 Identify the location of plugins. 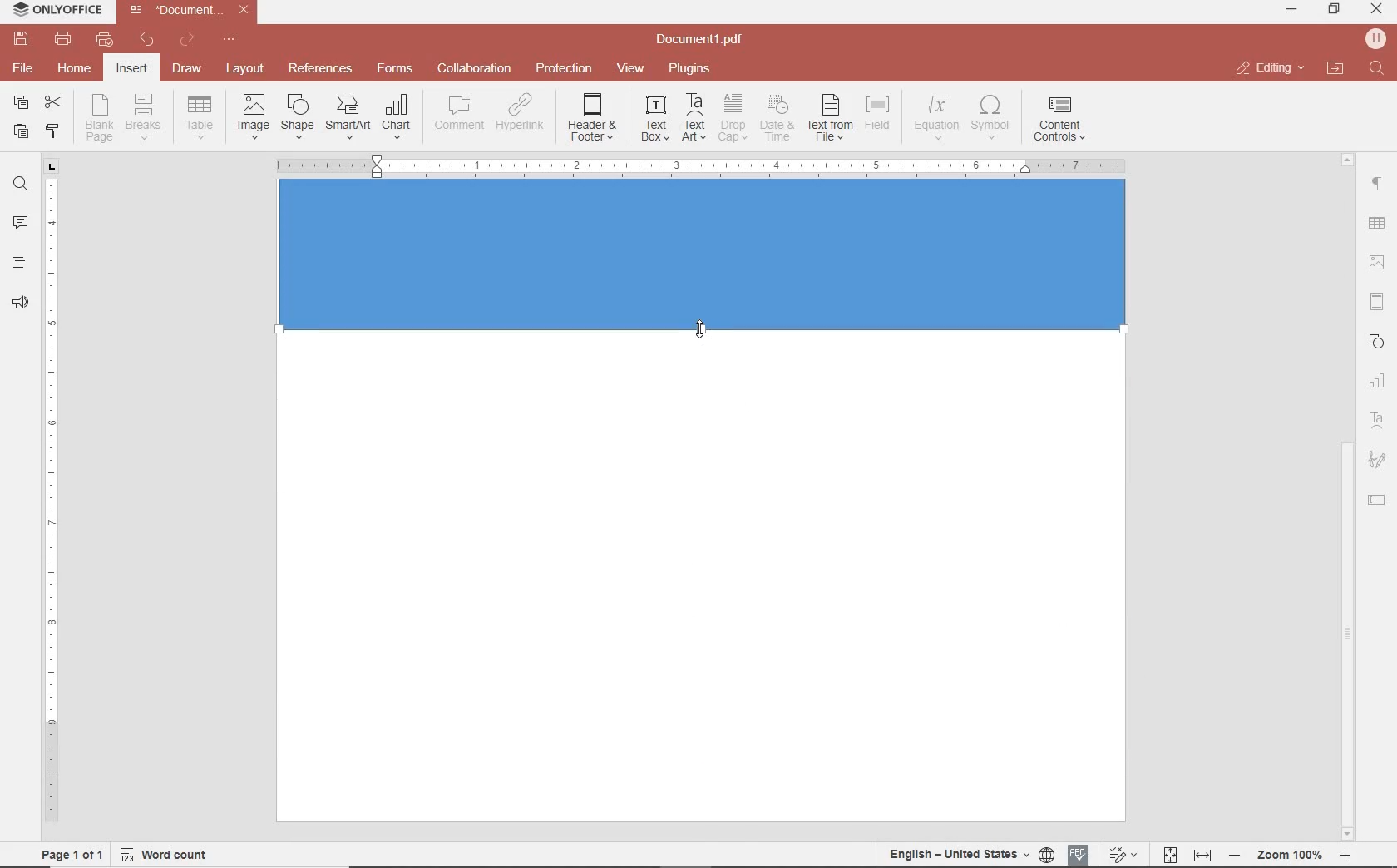
(693, 69).